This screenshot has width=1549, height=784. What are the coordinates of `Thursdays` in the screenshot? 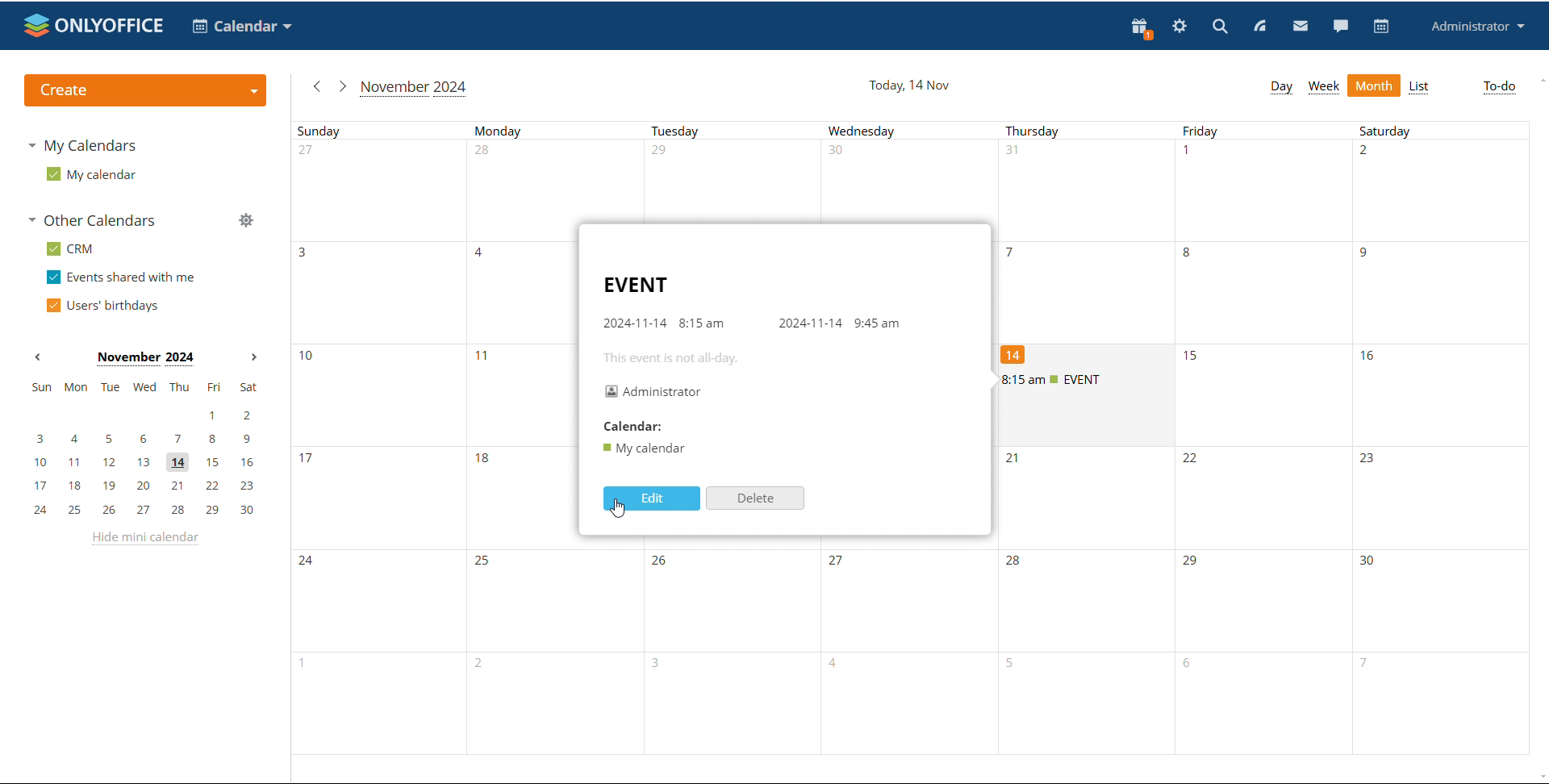 It's located at (1272, 497).